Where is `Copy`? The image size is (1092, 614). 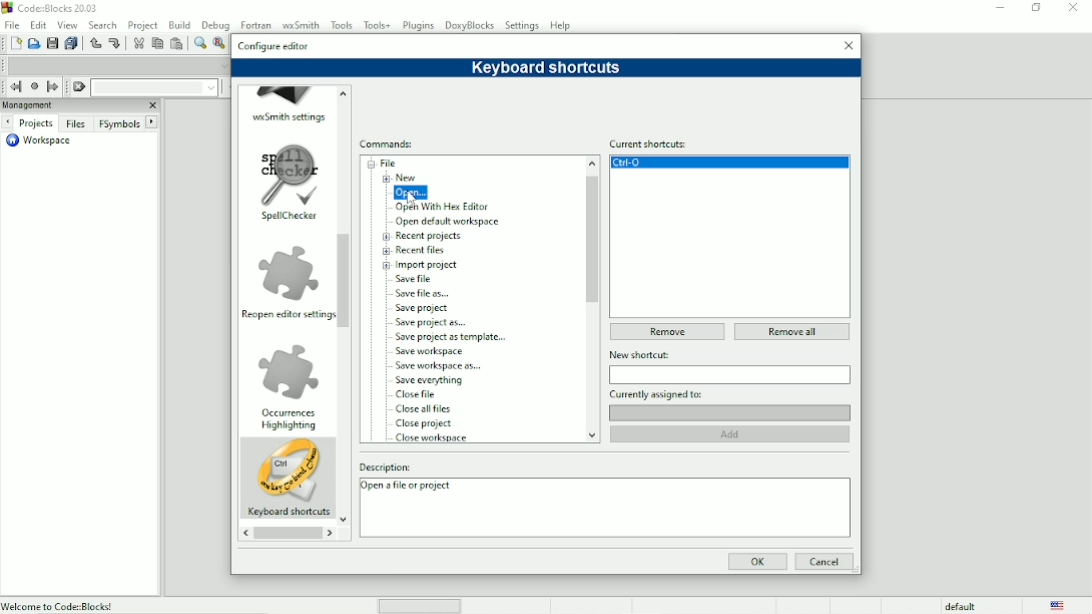
Copy is located at coordinates (156, 43).